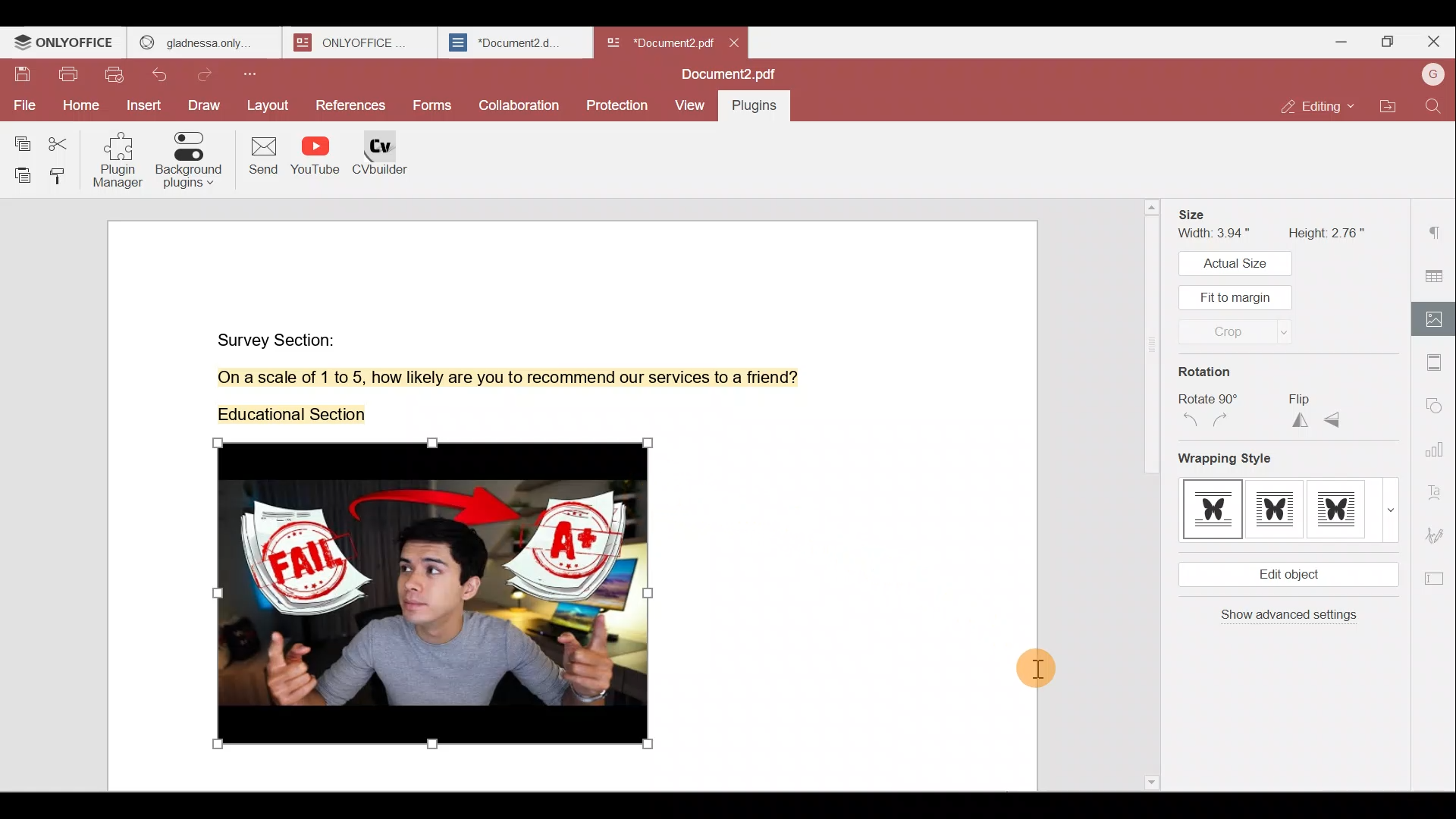 This screenshot has width=1456, height=819. What do you see at coordinates (438, 600) in the screenshot?
I see `image` at bounding box center [438, 600].